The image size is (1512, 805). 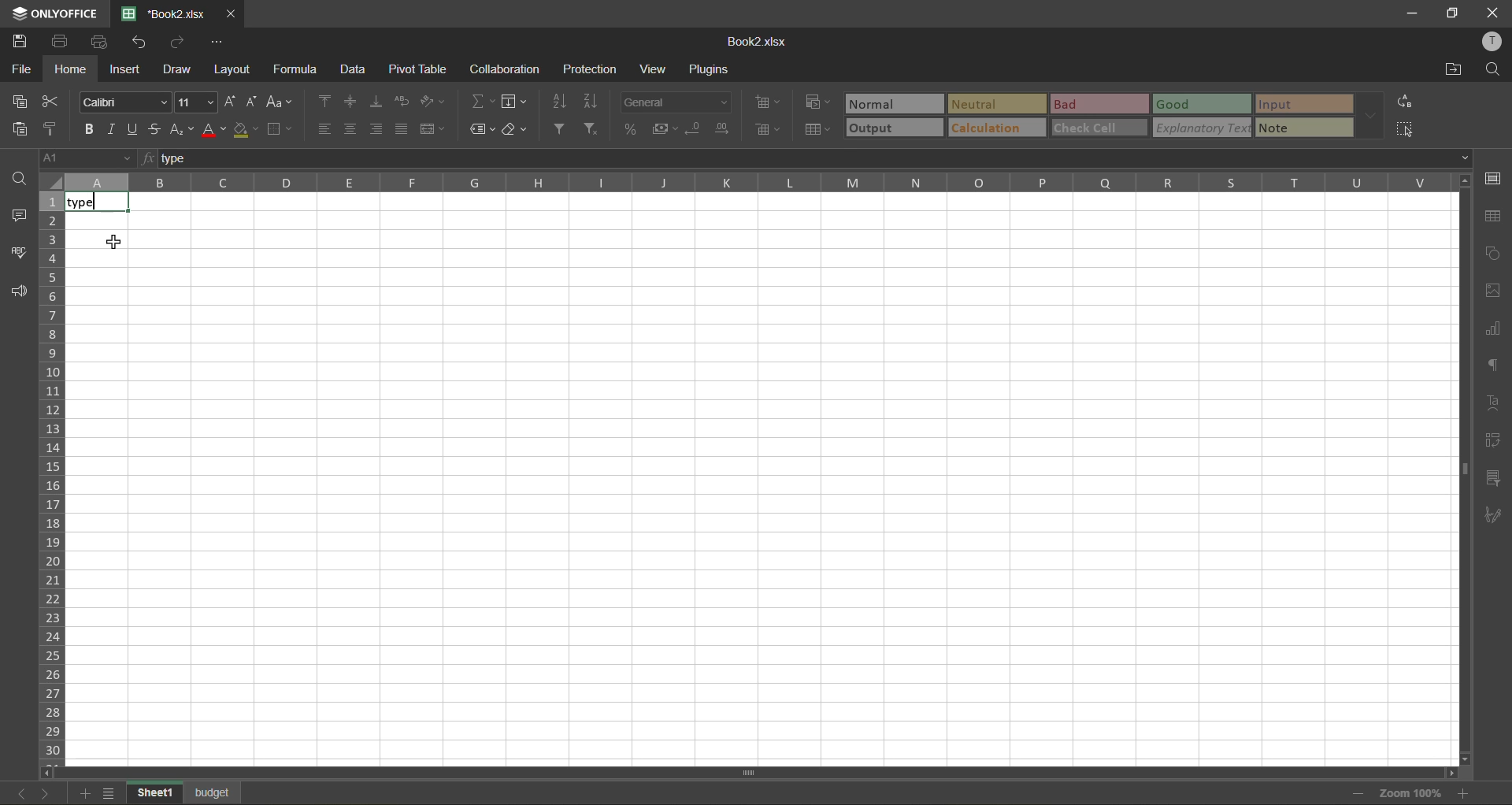 What do you see at coordinates (376, 101) in the screenshot?
I see `align bottom` at bounding box center [376, 101].